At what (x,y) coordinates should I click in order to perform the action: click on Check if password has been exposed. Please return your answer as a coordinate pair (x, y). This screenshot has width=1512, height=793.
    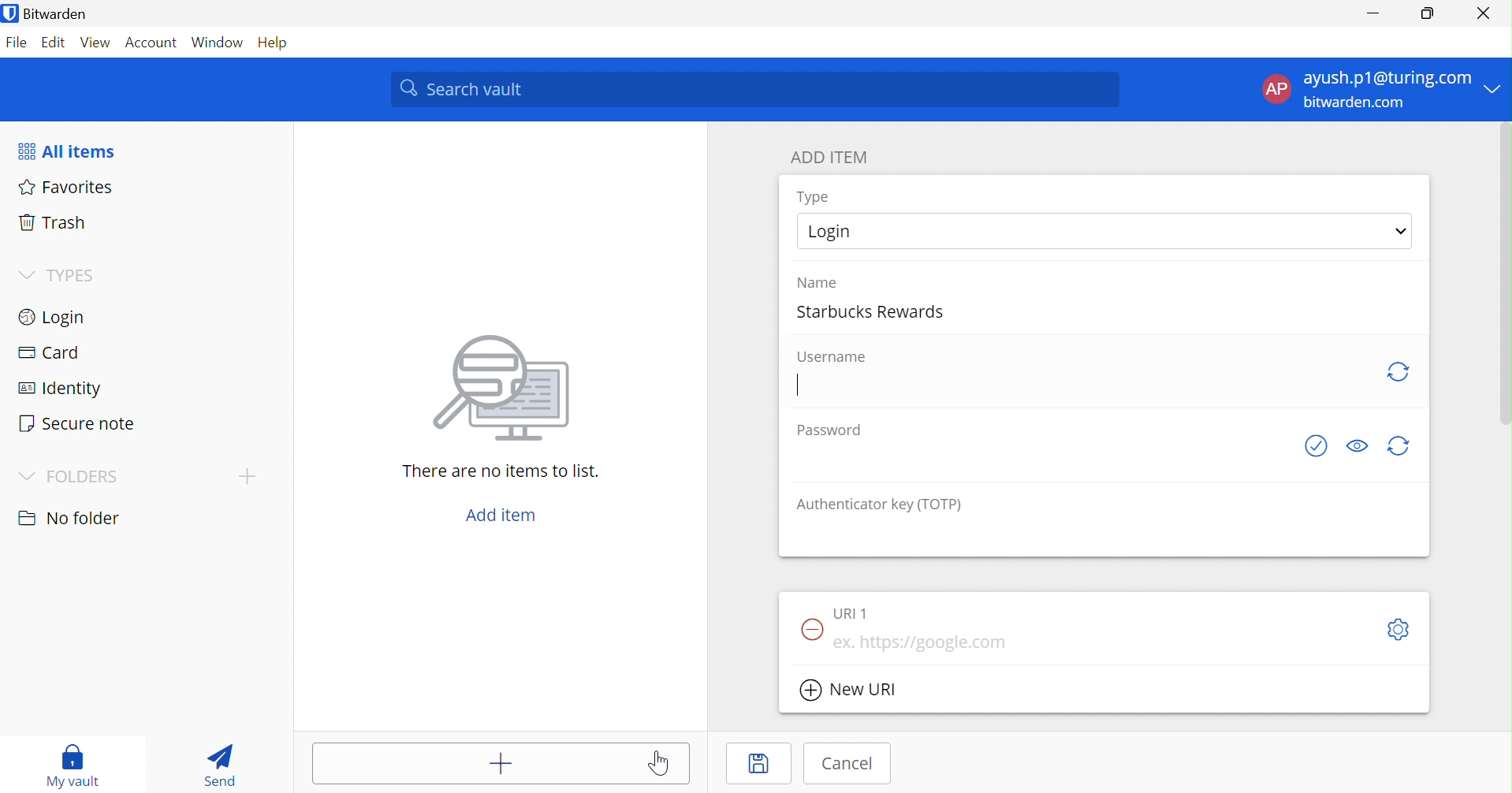
    Looking at the image, I should click on (1319, 446).